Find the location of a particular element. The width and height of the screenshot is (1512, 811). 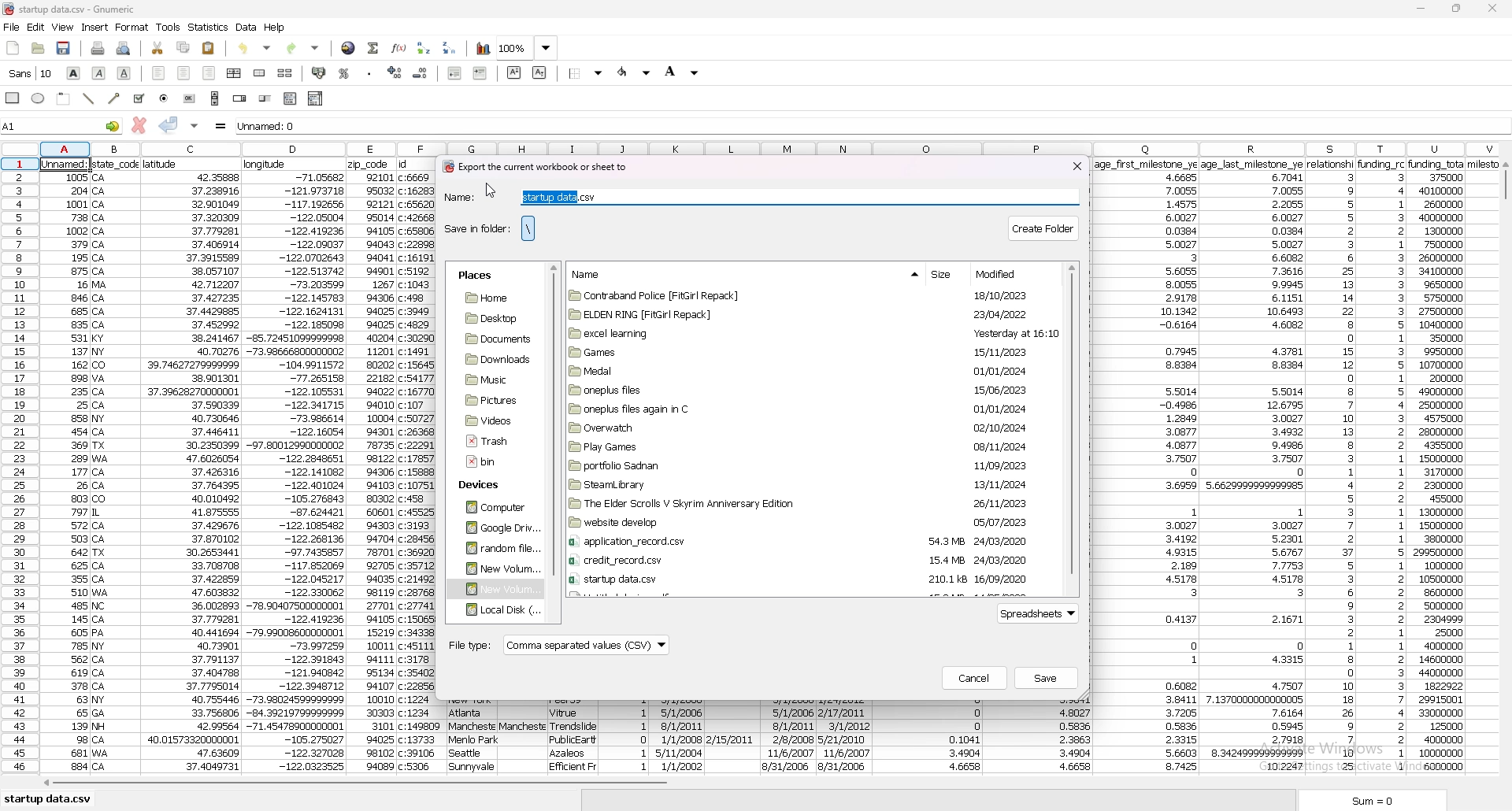

resize is located at coordinates (1458, 8).